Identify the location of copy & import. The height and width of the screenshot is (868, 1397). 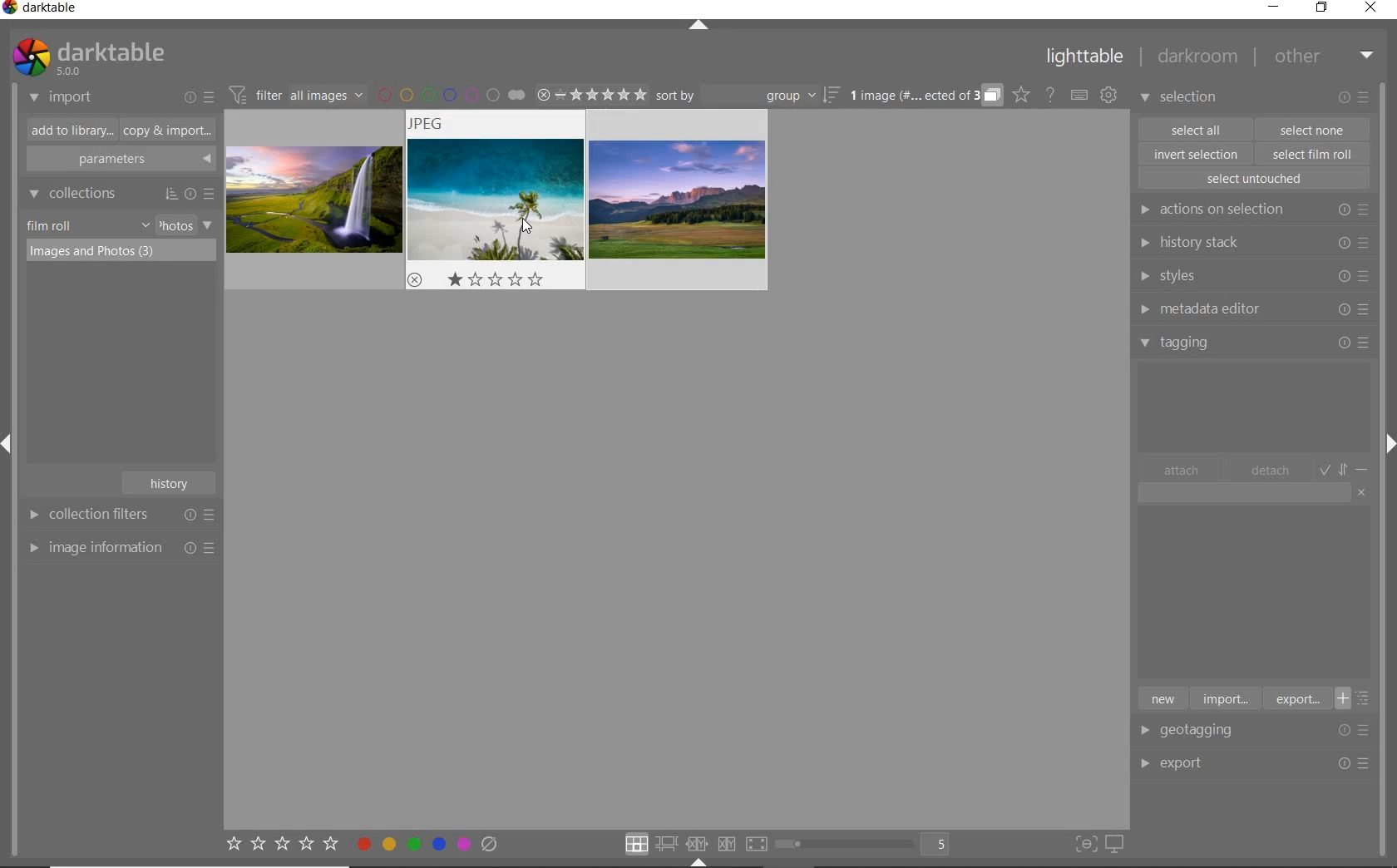
(164, 131).